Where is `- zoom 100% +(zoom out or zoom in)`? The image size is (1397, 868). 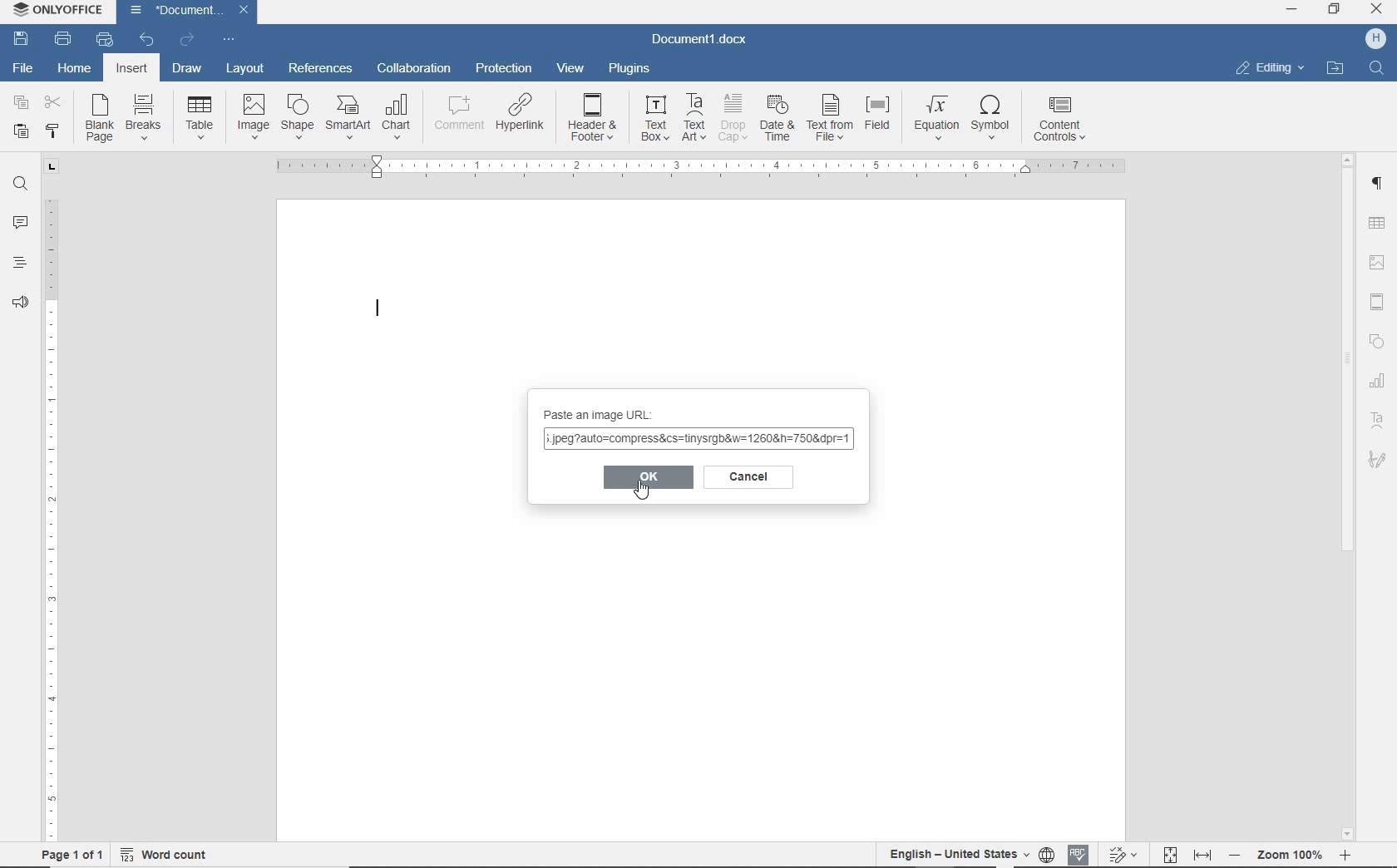 - zoom 100% +(zoom out or zoom in) is located at coordinates (1292, 856).